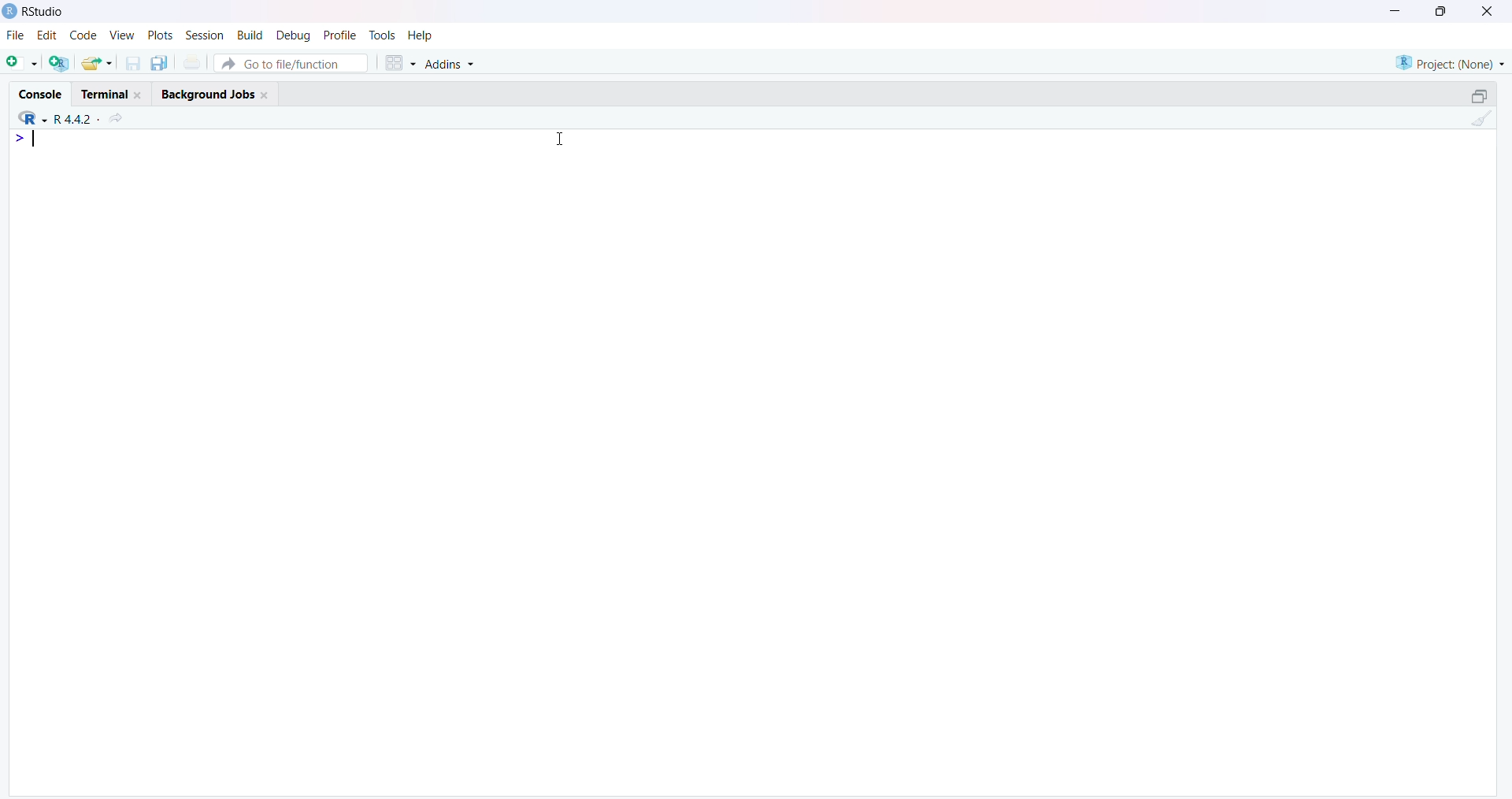  What do you see at coordinates (13, 38) in the screenshot?
I see `File` at bounding box center [13, 38].